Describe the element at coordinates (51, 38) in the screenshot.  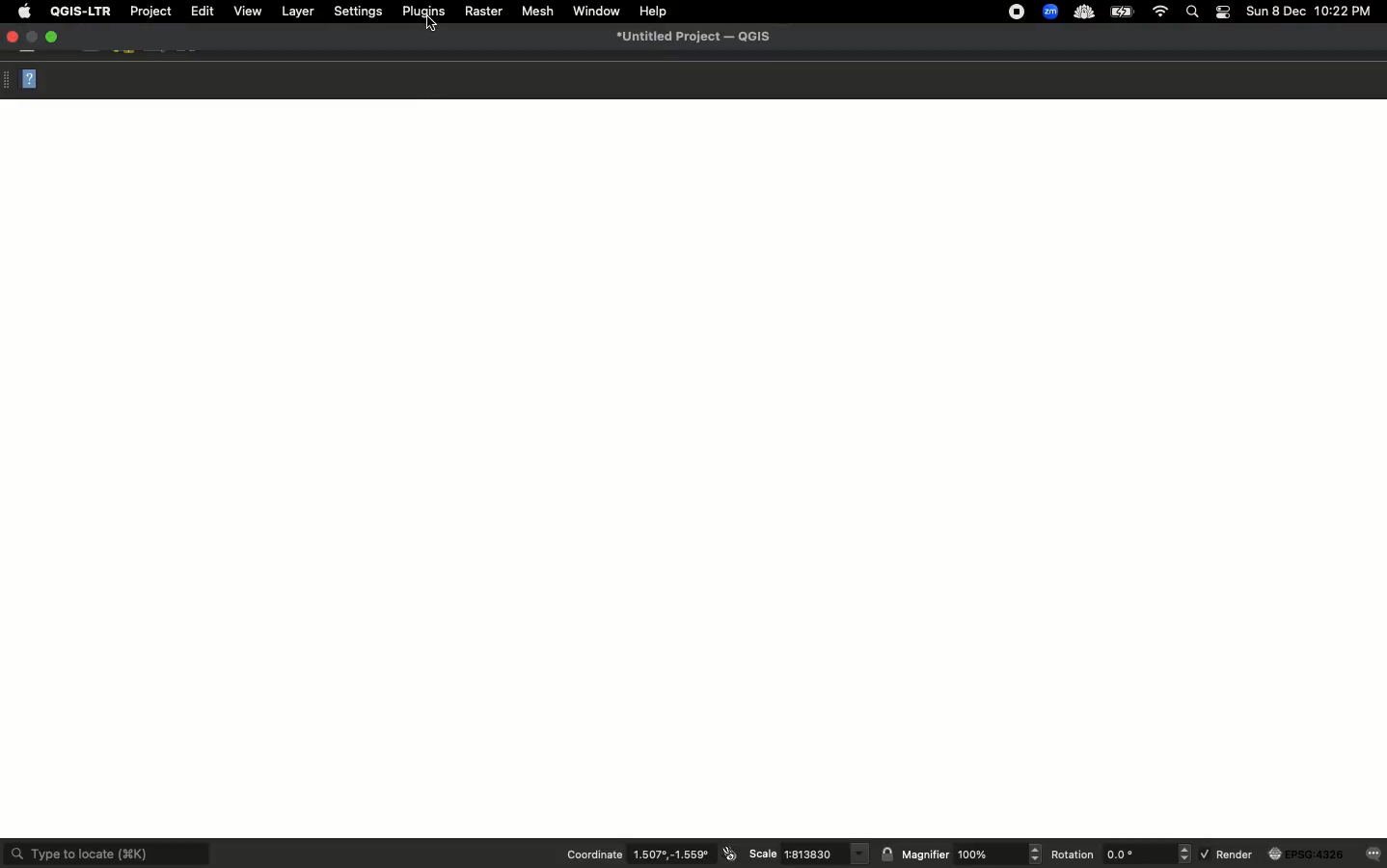
I see `Maximize` at that location.